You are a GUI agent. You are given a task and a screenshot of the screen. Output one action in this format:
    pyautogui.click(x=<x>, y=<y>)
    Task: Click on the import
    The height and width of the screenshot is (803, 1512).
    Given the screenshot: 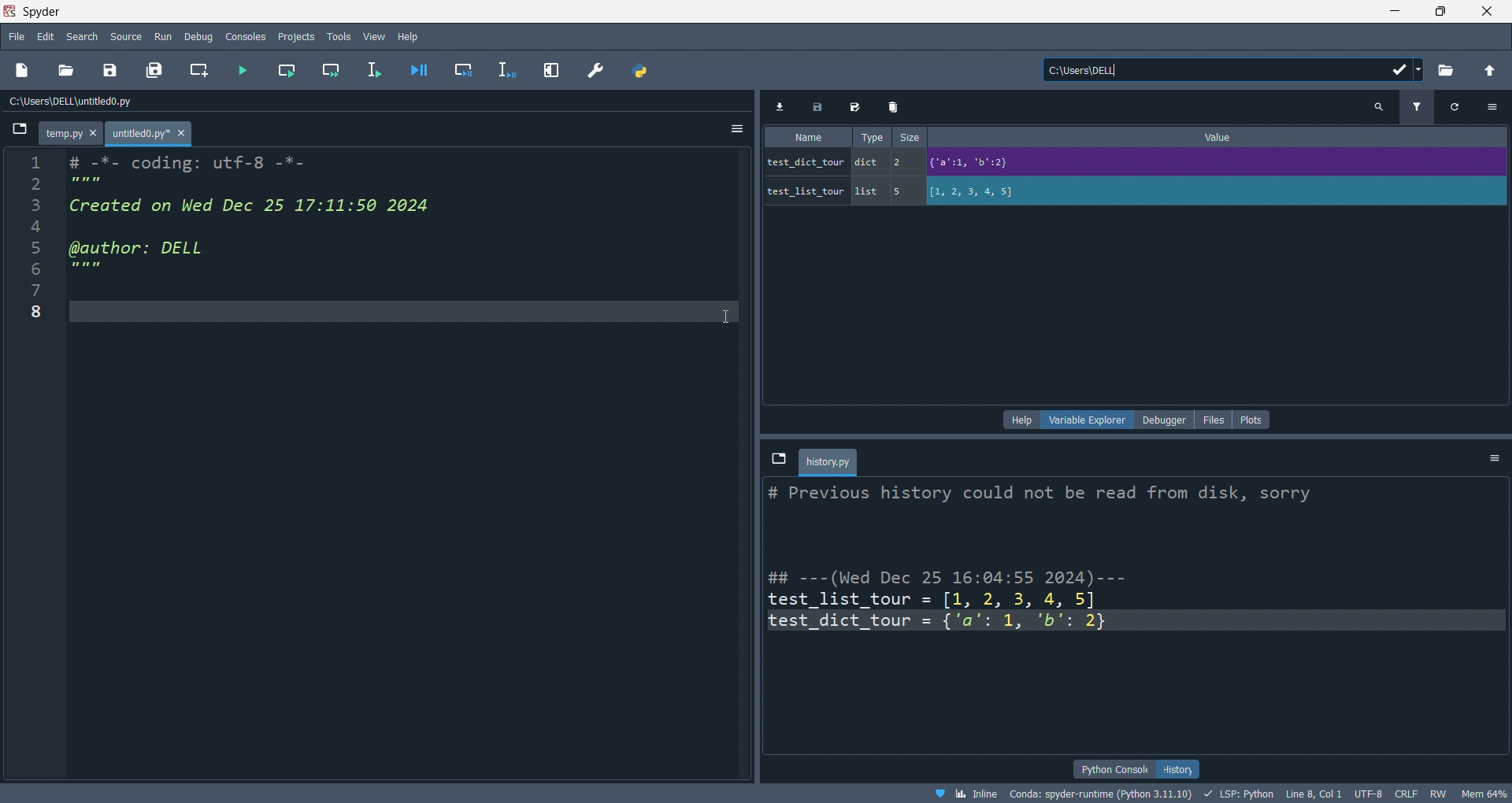 What is the action you would take?
    pyautogui.click(x=784, y=107)
    